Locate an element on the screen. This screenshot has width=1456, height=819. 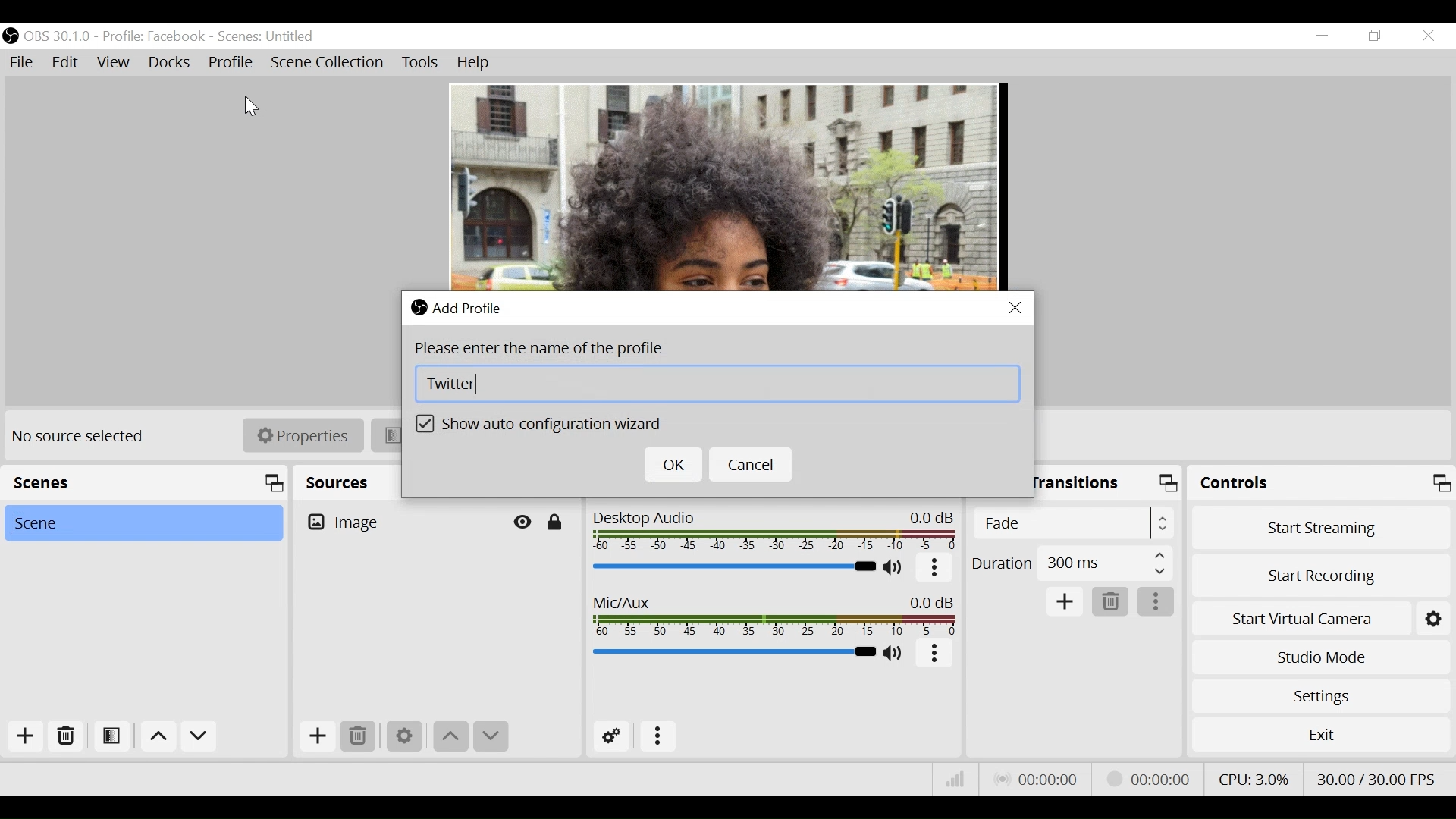
Start Virtual Camera is located at coordinates (1319, 617).